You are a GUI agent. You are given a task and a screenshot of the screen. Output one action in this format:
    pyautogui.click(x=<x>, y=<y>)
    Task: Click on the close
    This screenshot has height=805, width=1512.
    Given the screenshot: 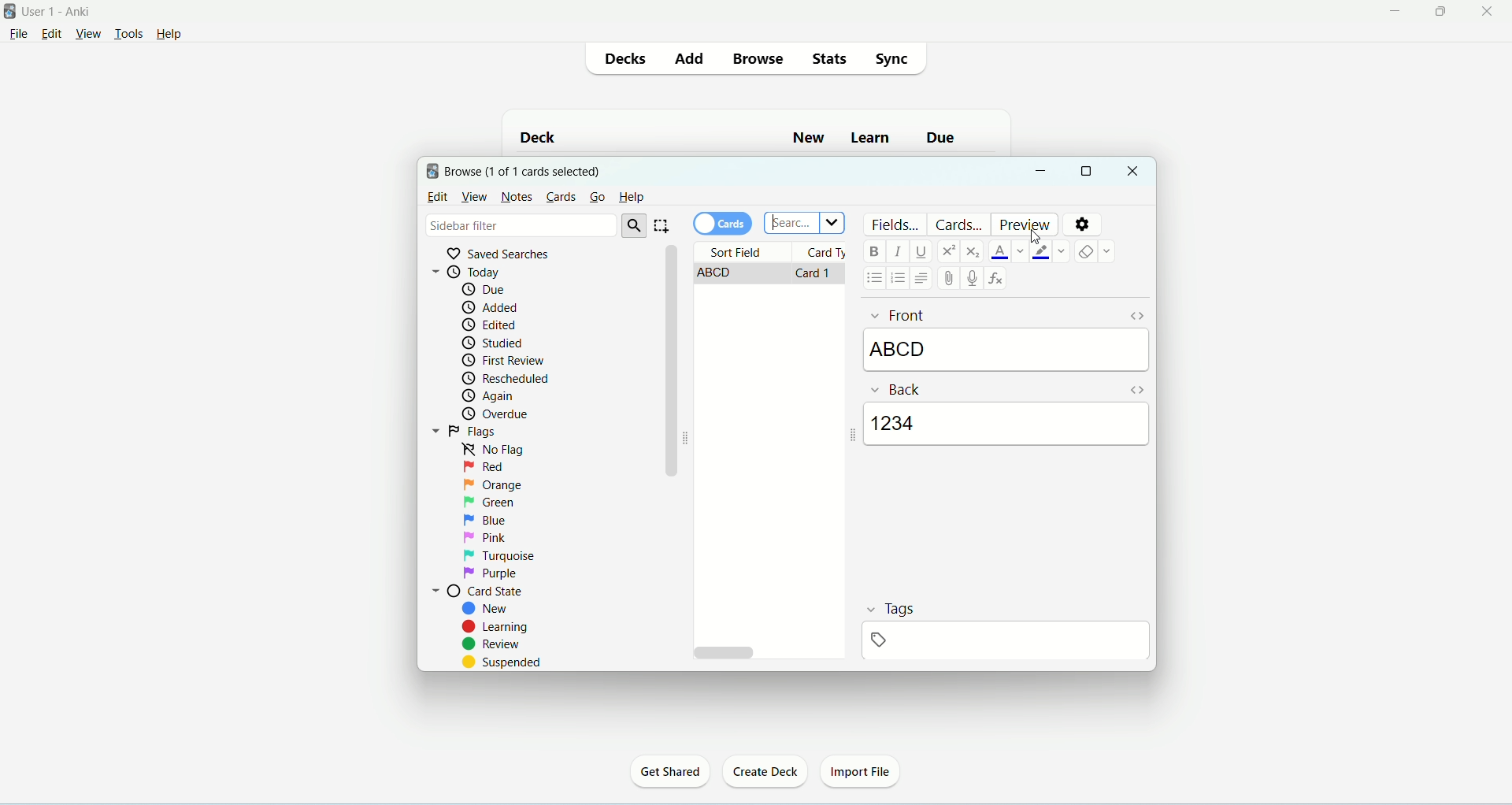 What is the action you would take?
    pyautogui.click(x=1135, y=171)
    